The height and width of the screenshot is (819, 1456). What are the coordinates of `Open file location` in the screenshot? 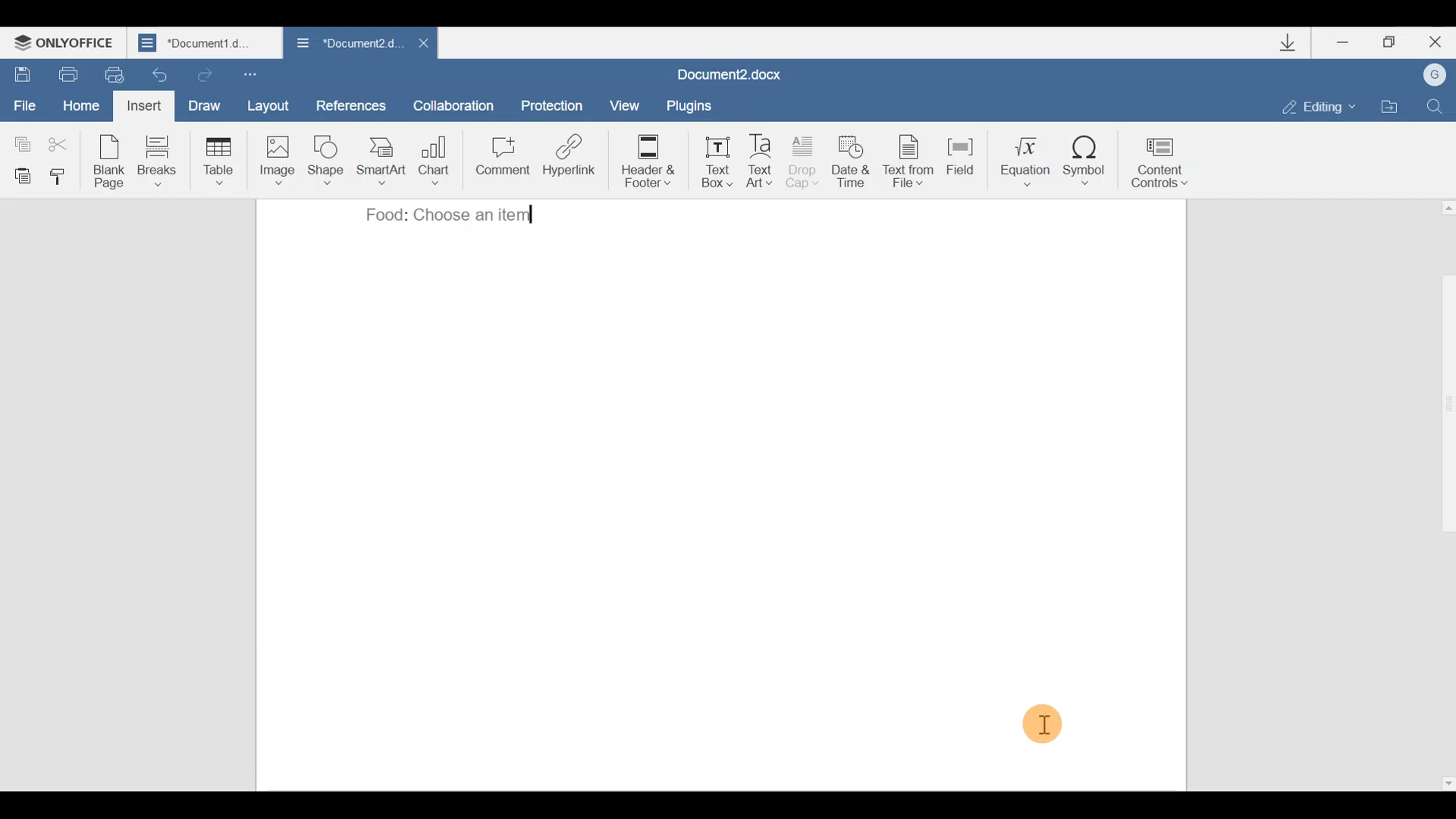 It's located at (1392, 105).